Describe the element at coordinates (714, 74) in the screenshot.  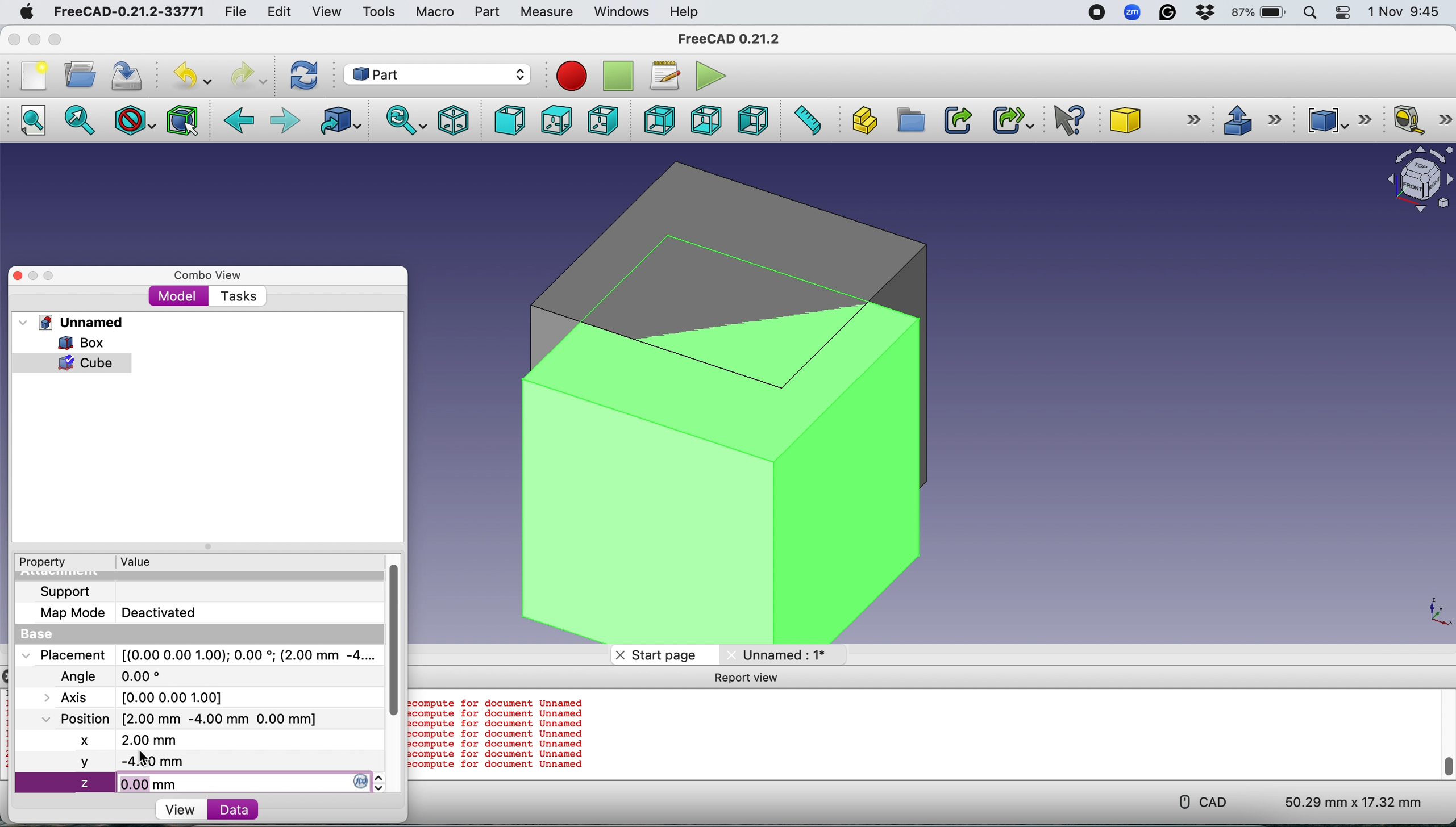
I see `Execute macros` at that location.